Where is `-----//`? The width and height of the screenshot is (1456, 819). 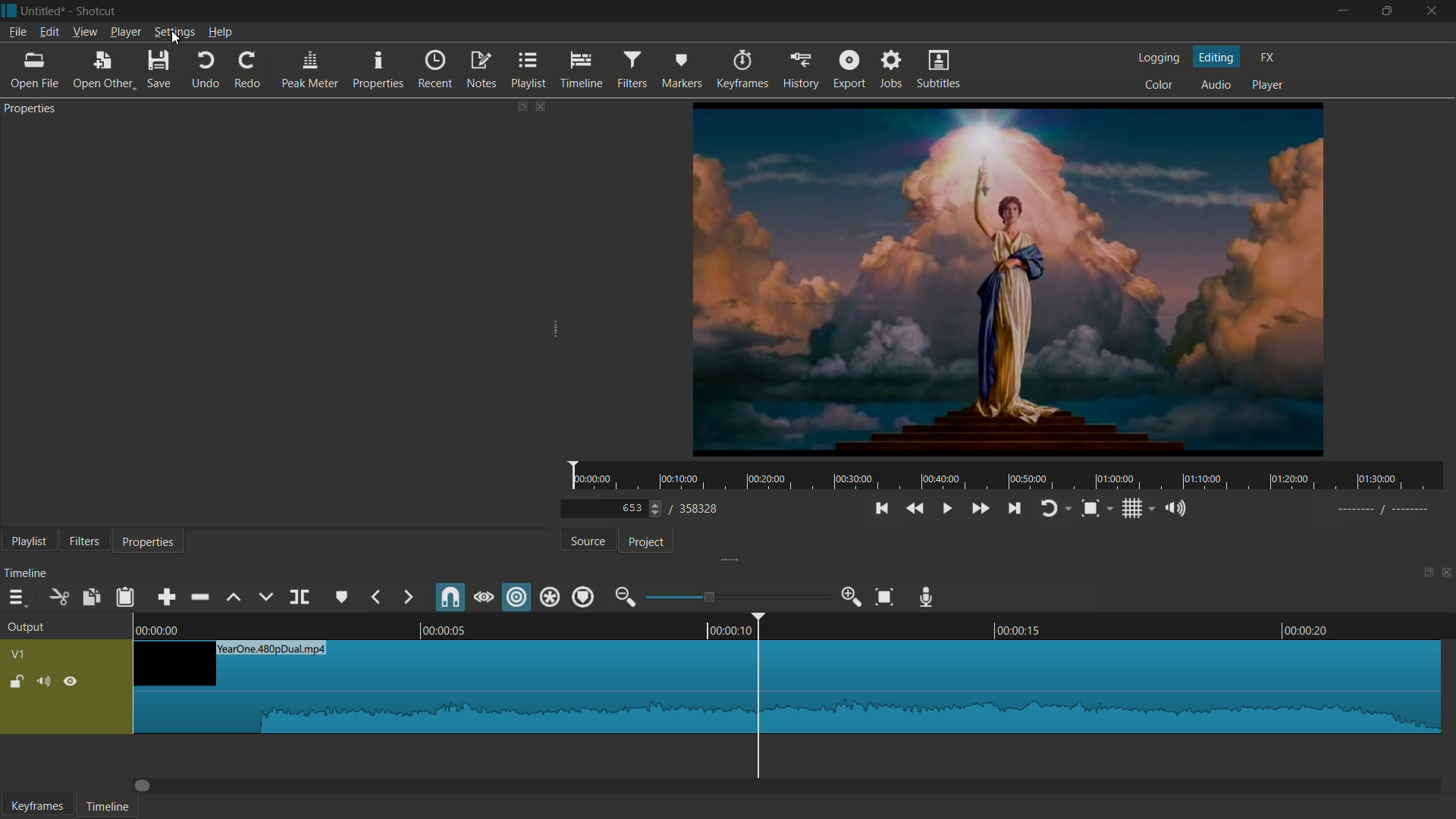 -----// is located at coordinates (1393, 508).